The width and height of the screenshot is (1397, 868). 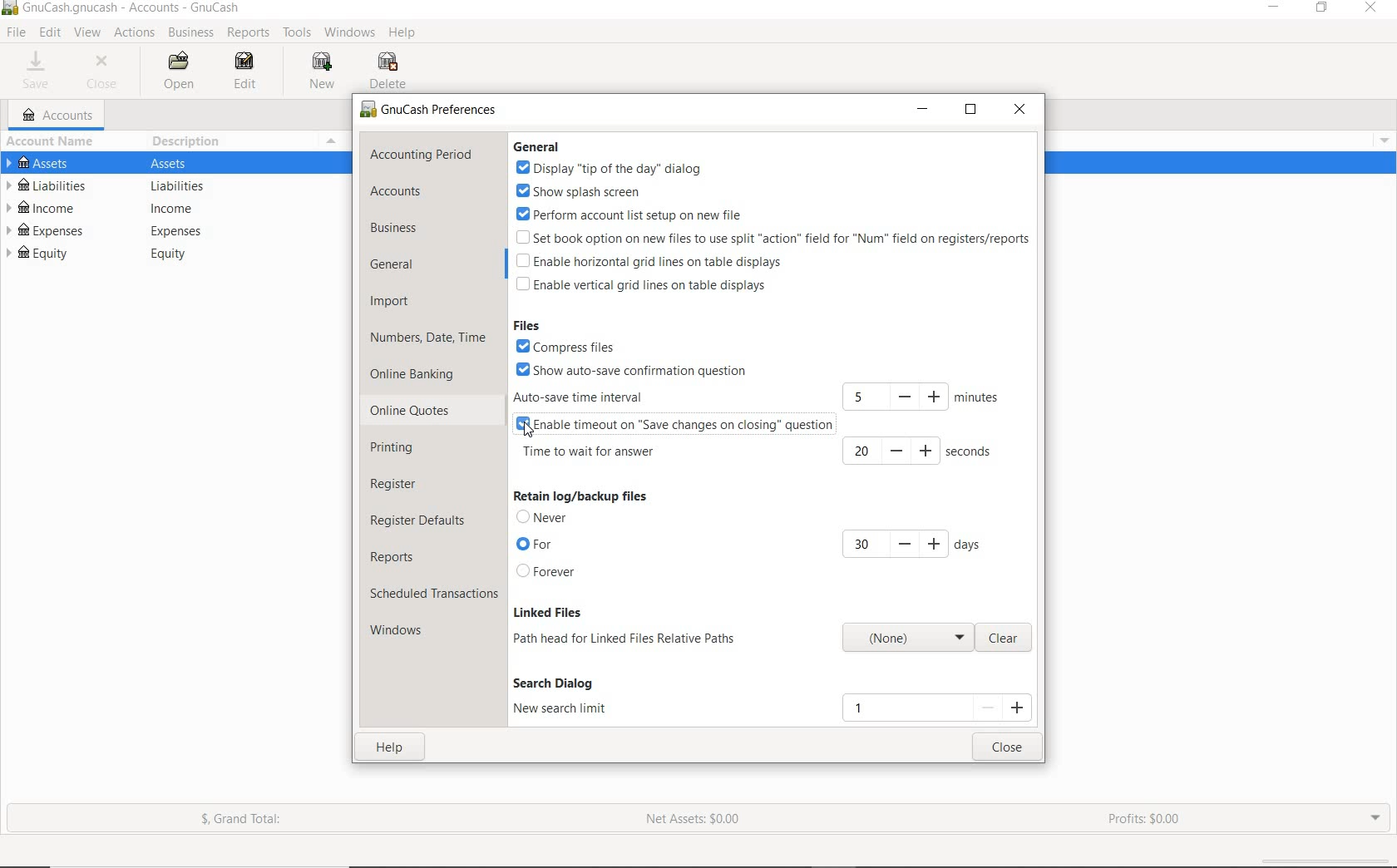 What do you see at coordinates (419, 520) in the screenshot?
I see `REGISTER DEFAULTS` at bounding box center [419, 520].